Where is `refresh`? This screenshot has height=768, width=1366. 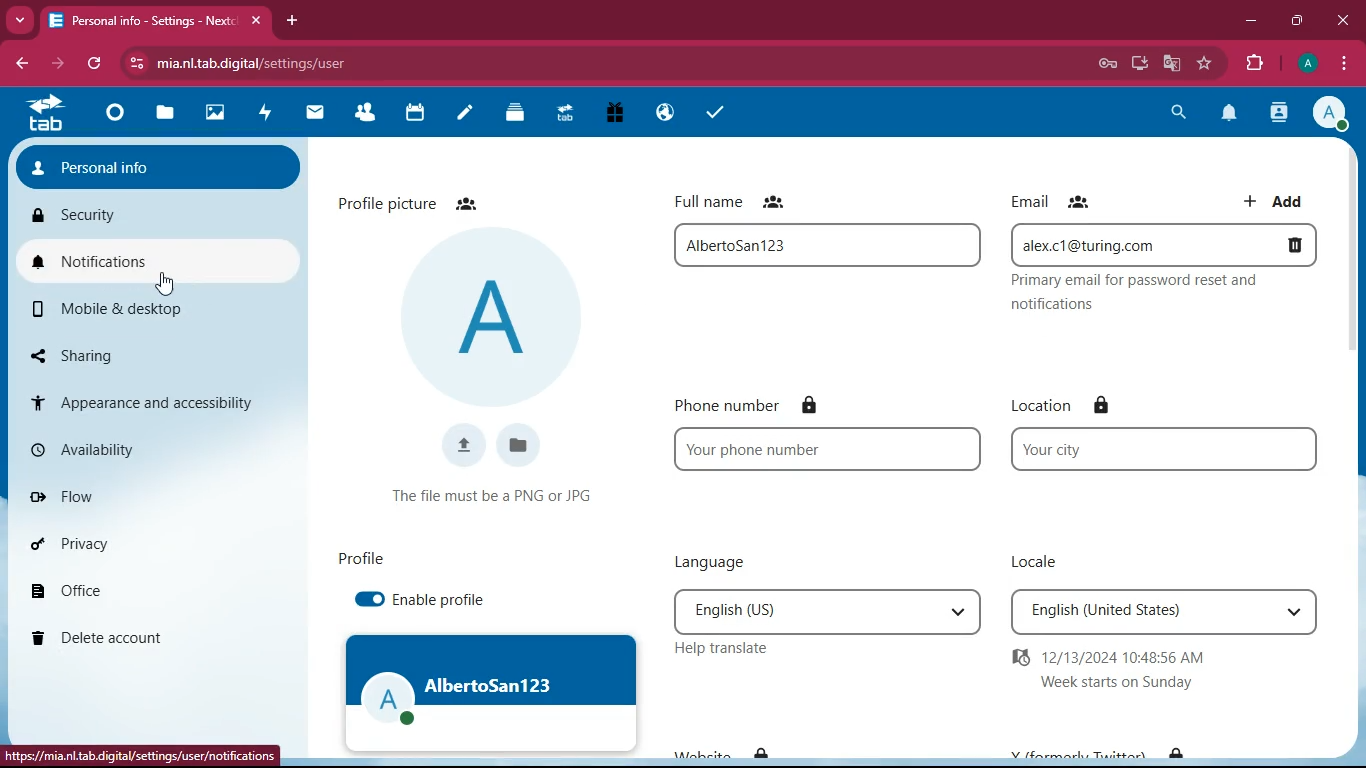 refresh is located at coordinates (96, 62).